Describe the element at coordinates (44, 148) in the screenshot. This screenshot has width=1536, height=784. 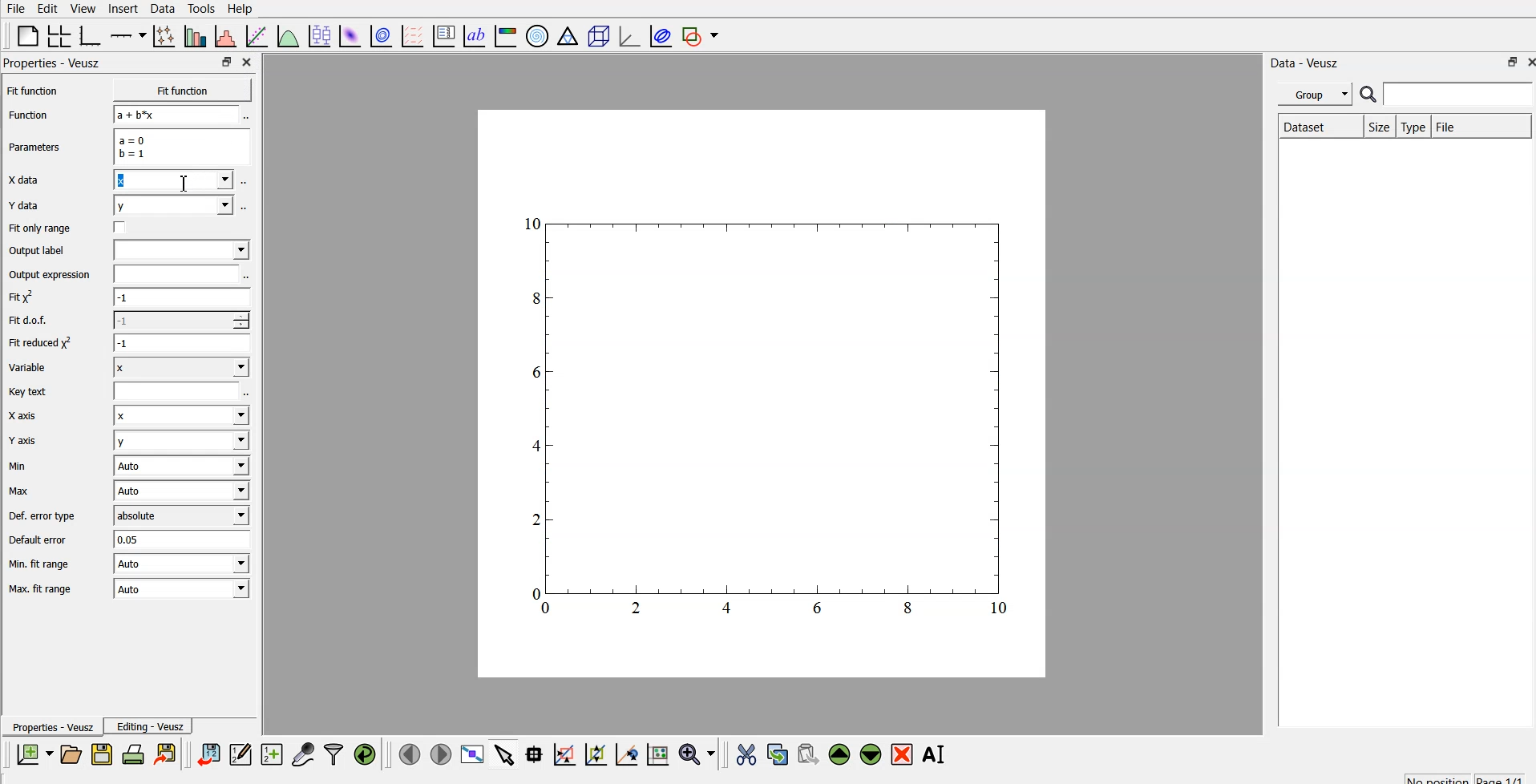
I see `Parameters` at that location.